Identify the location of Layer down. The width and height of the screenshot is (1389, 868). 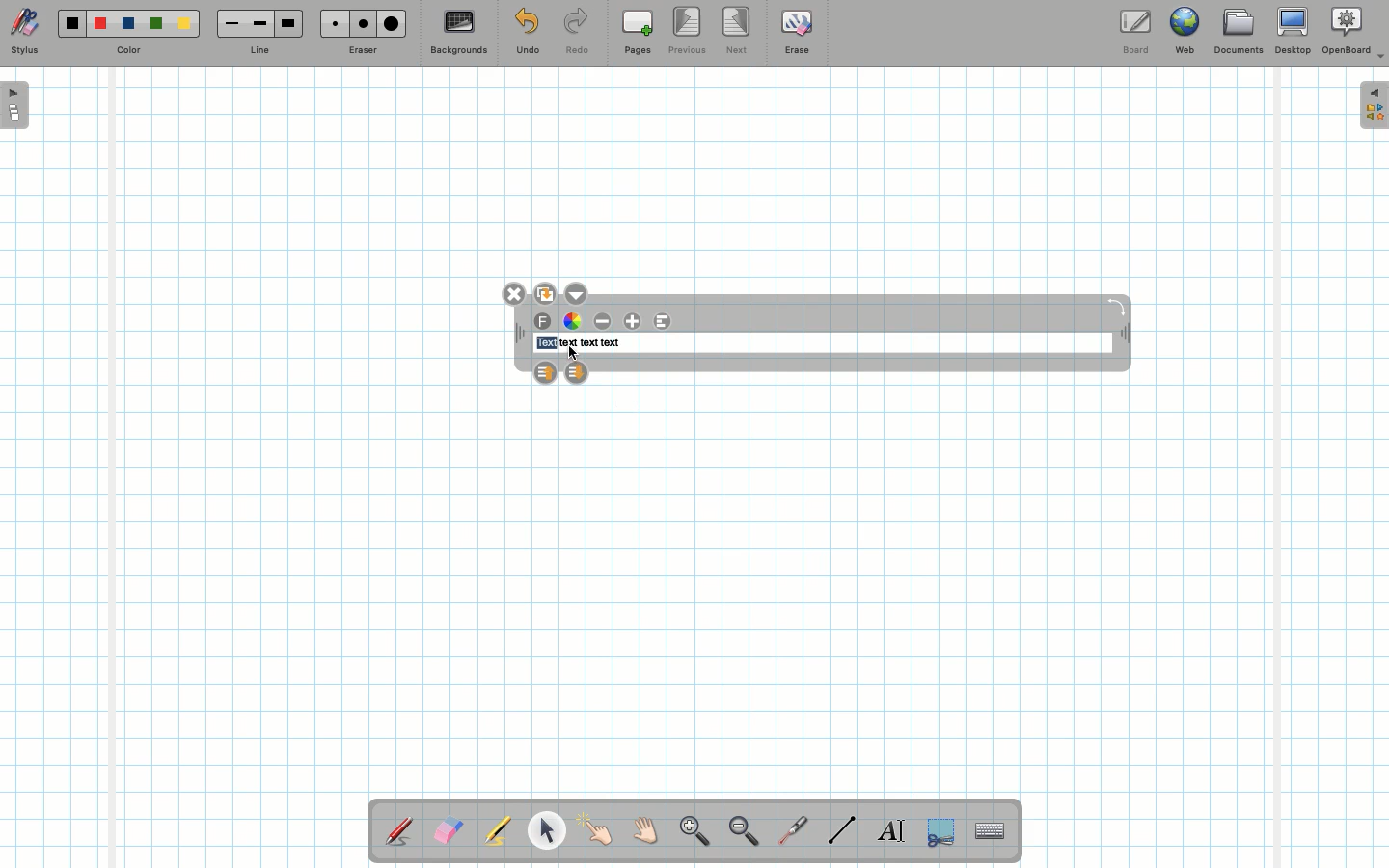
(578, 373).